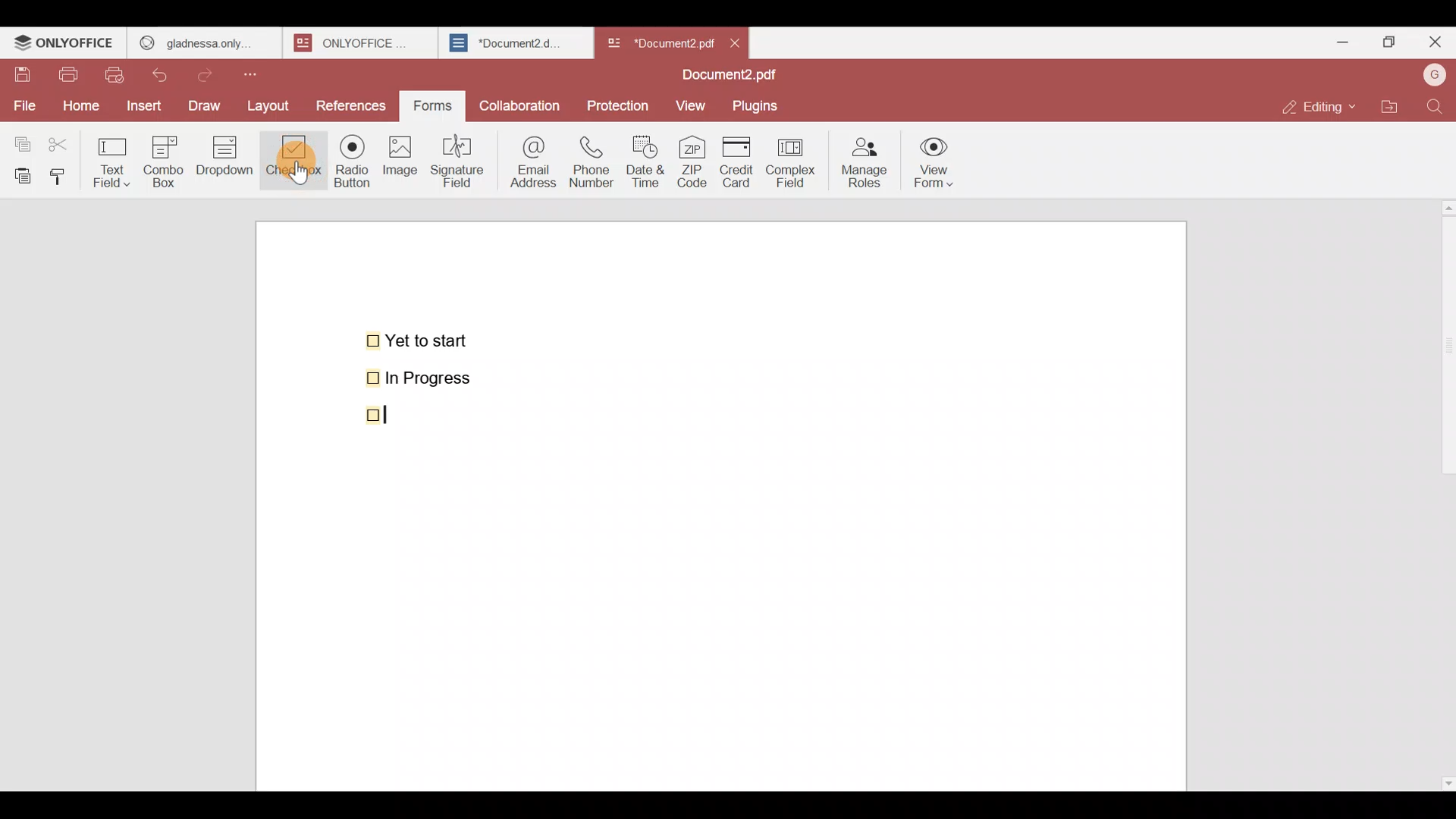 This screenshot has width=1456, height=819. What do you see at coordinates (1336, 39) in the screenshot?
I see `Minimize` at bounding box center [1336, 39].